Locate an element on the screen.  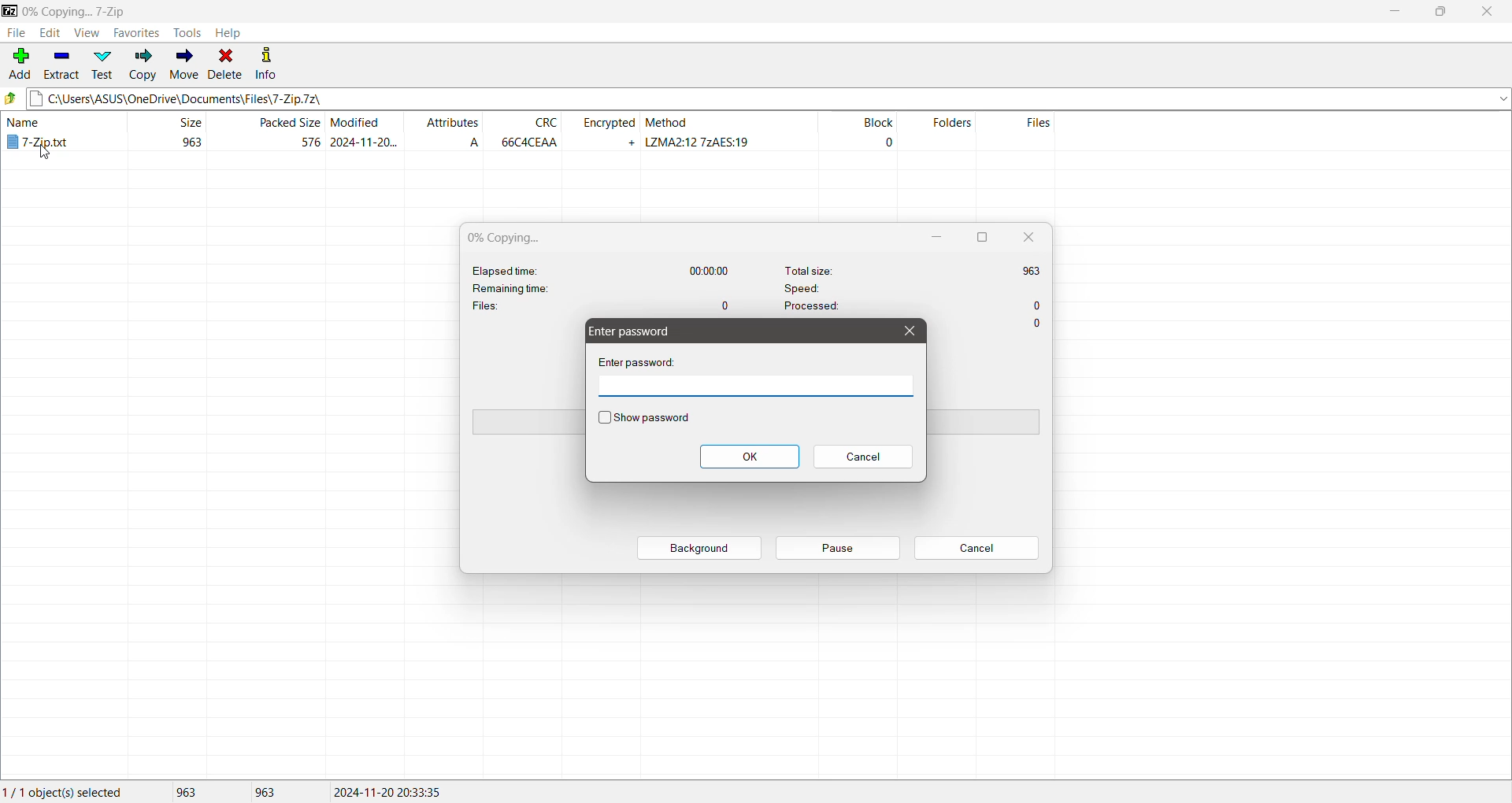
 is located at coordinates (1039, 324).